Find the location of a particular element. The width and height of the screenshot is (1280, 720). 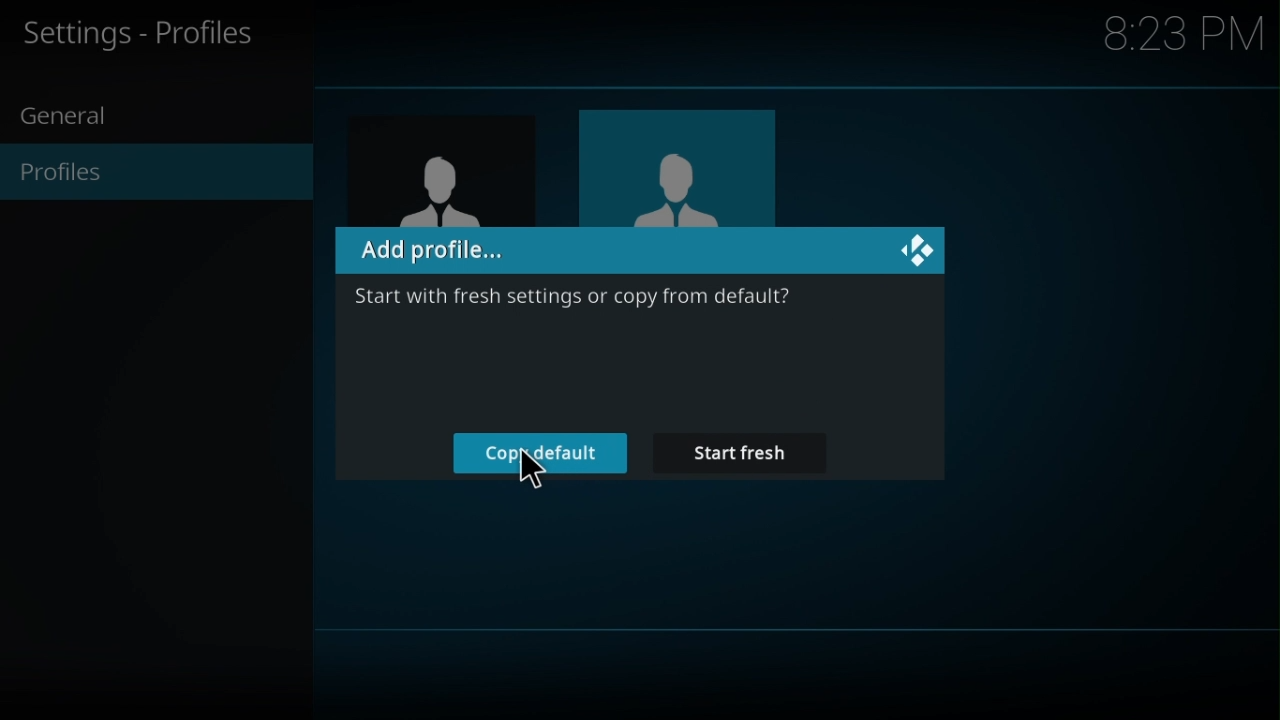

Start fresh is located at coordinates (742, 452).